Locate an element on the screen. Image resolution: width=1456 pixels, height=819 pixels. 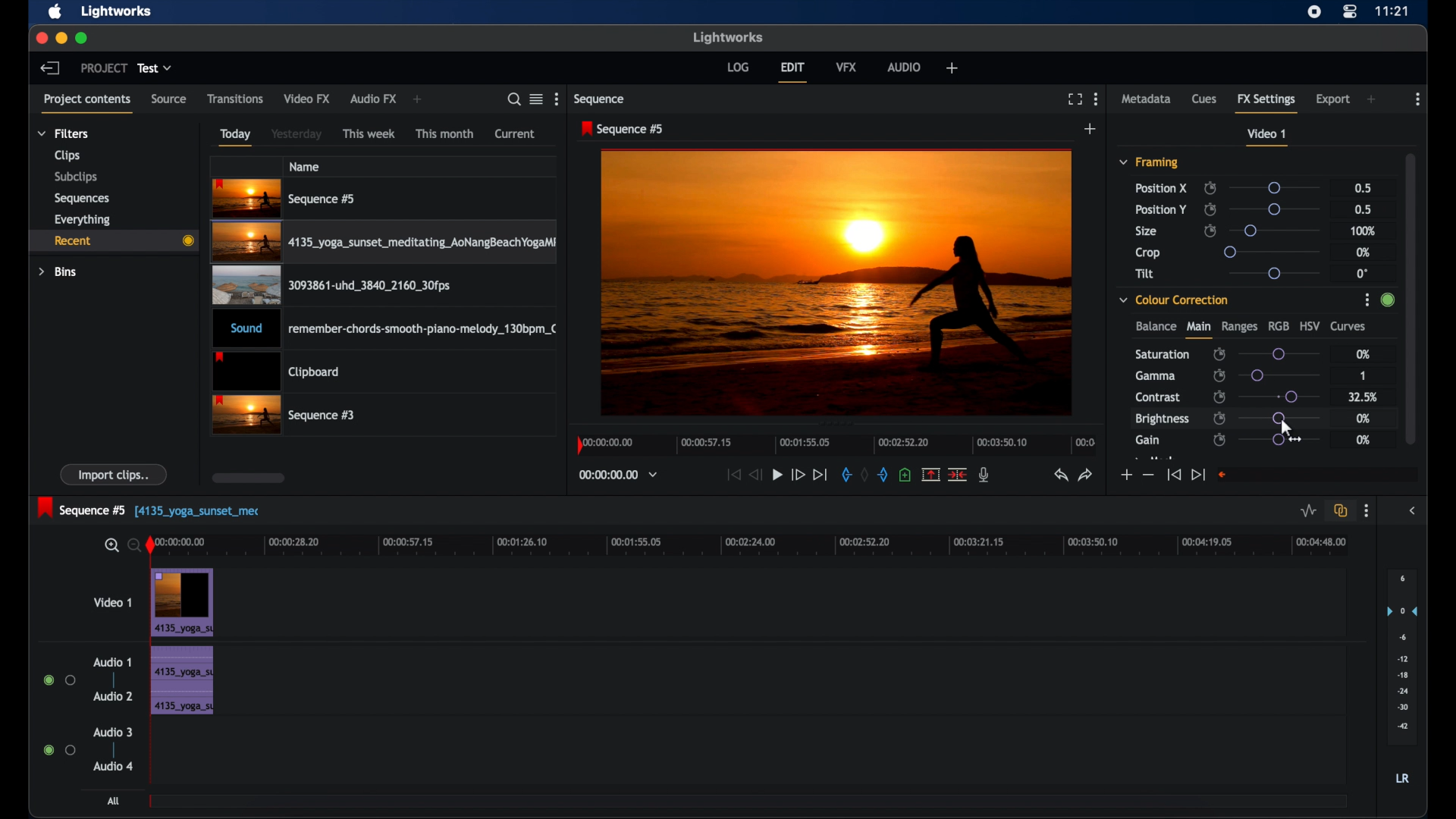
brightness is located at coordinates (1161, 419).